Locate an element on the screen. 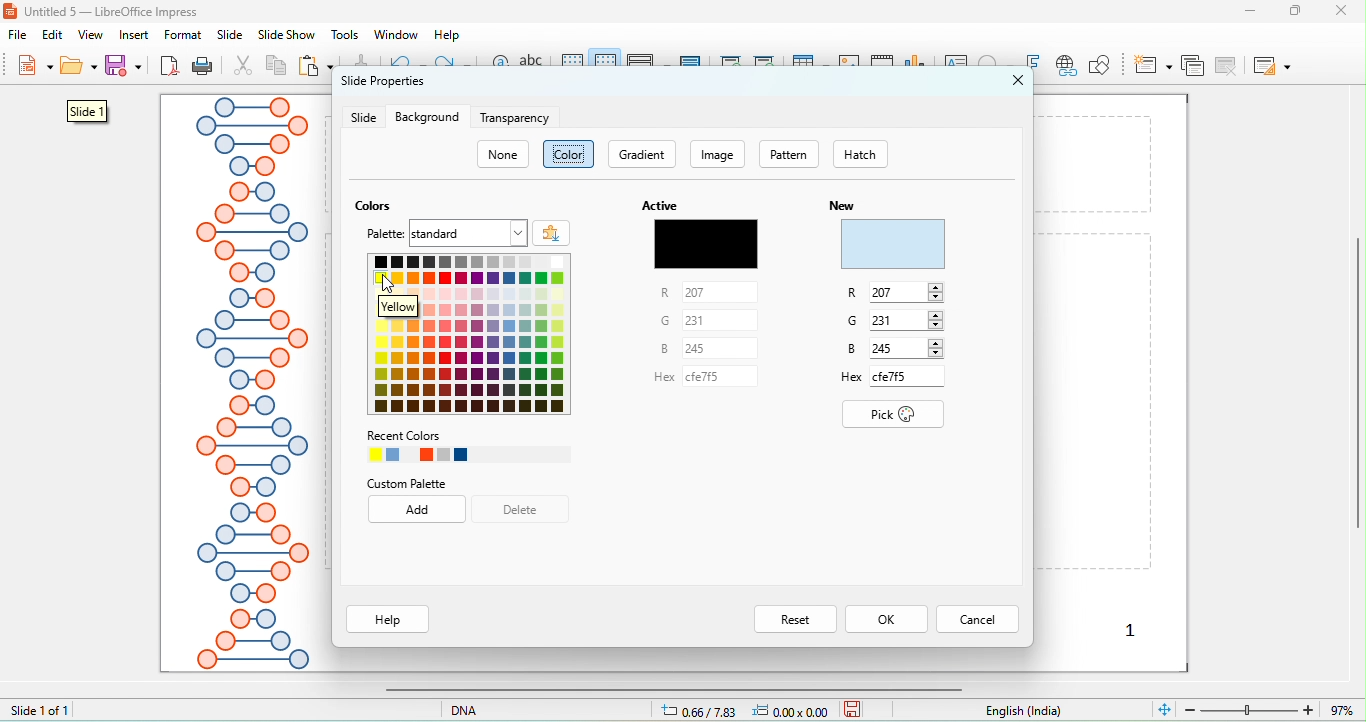 This screenshot has width=1366, height=722. file is located at coordinates (22, 37).